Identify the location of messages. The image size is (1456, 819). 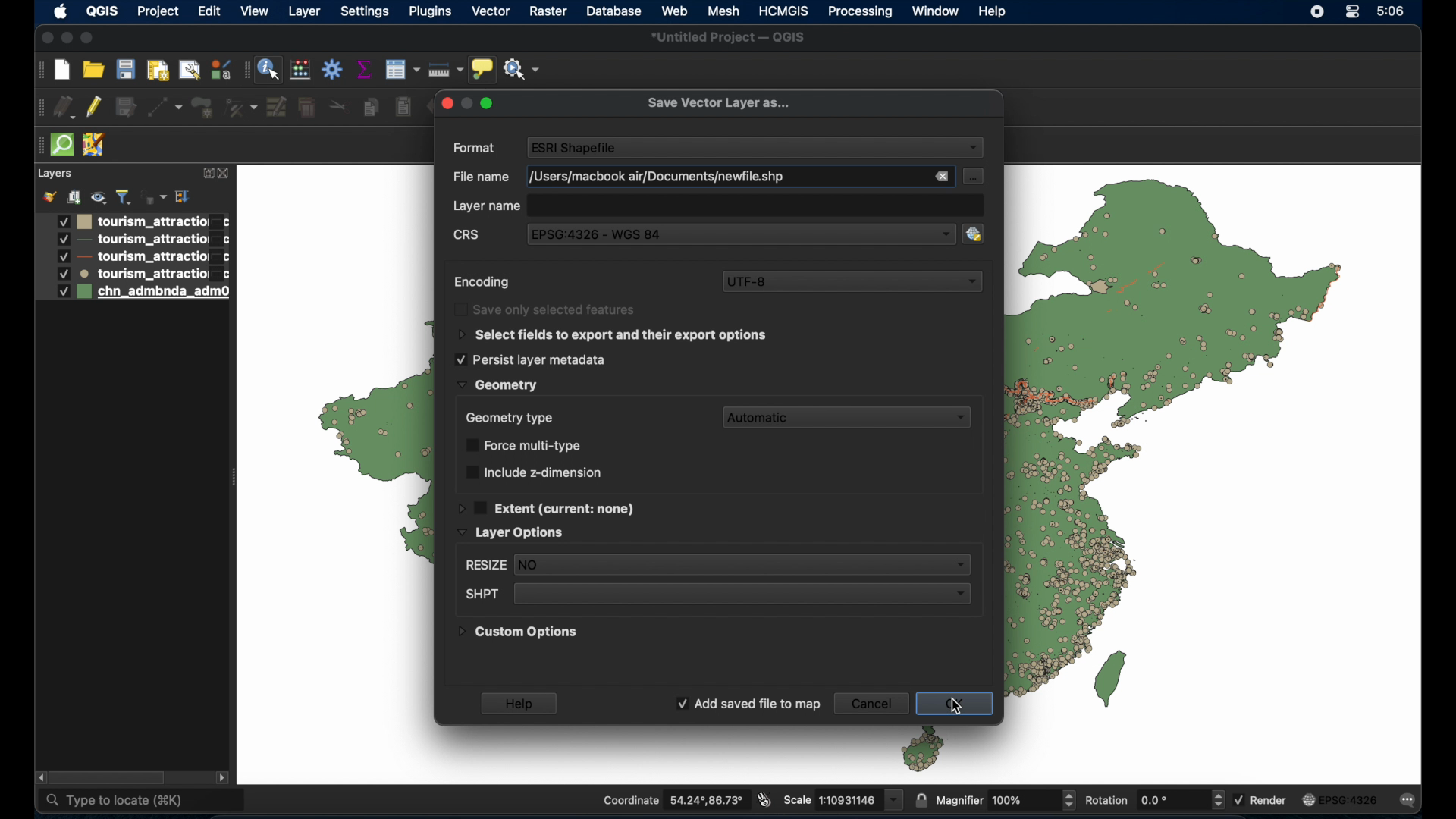
(1410, 799).